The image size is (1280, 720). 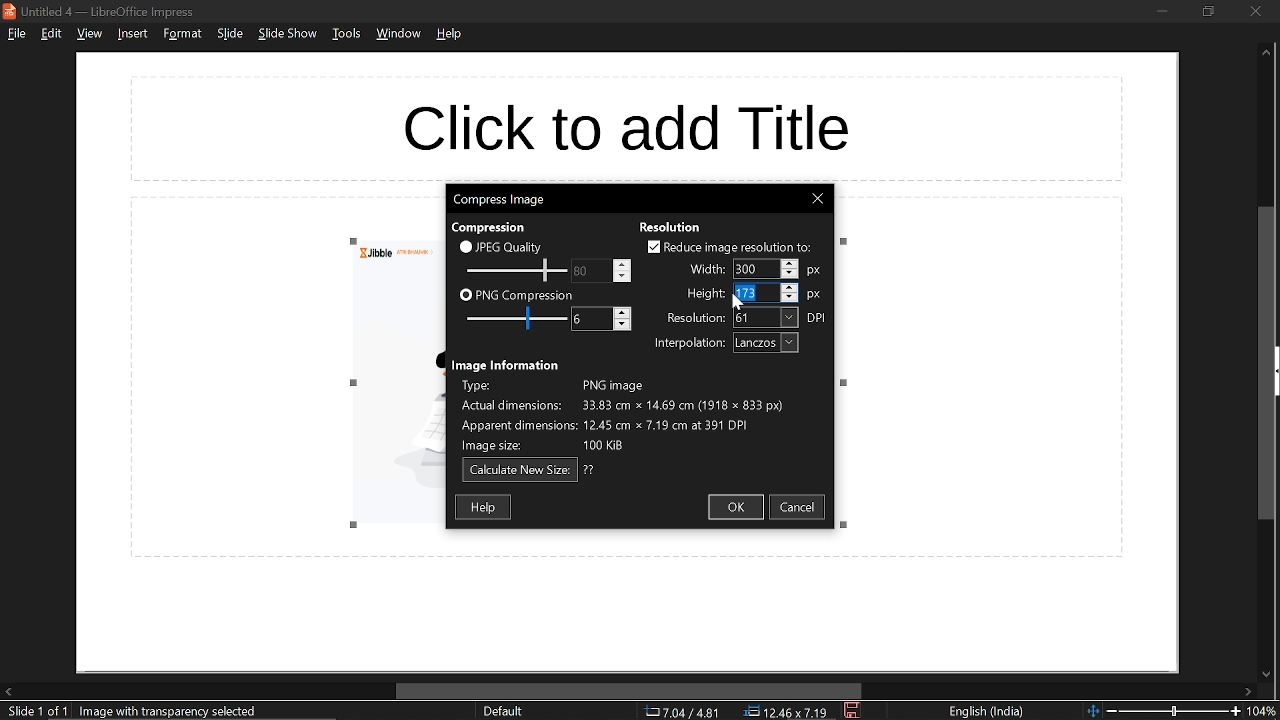 I want to click on current slide, so click(x=33, y=712).